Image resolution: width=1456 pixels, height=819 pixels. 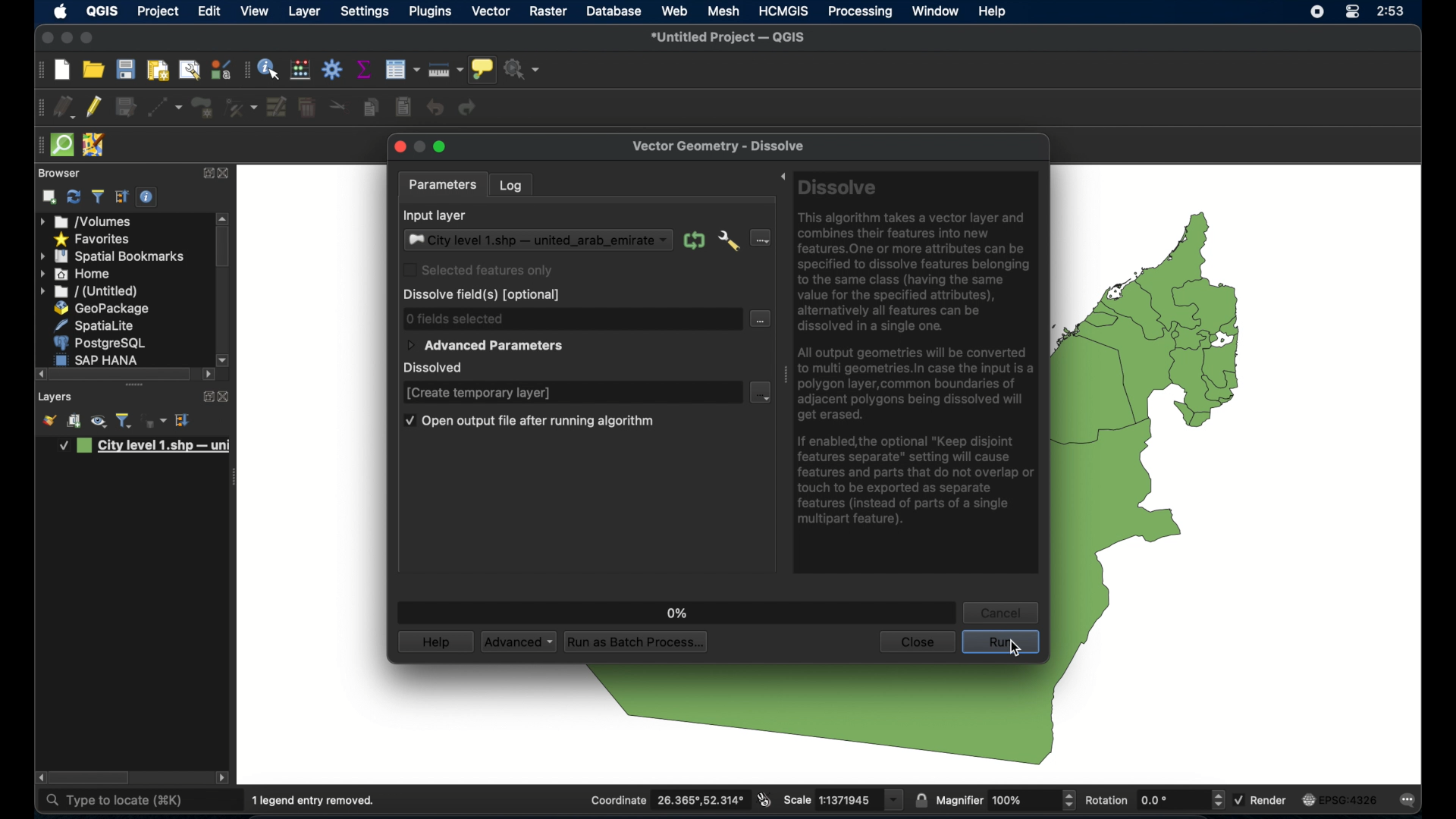 I want to click on time, so click(x=1392, y=12).